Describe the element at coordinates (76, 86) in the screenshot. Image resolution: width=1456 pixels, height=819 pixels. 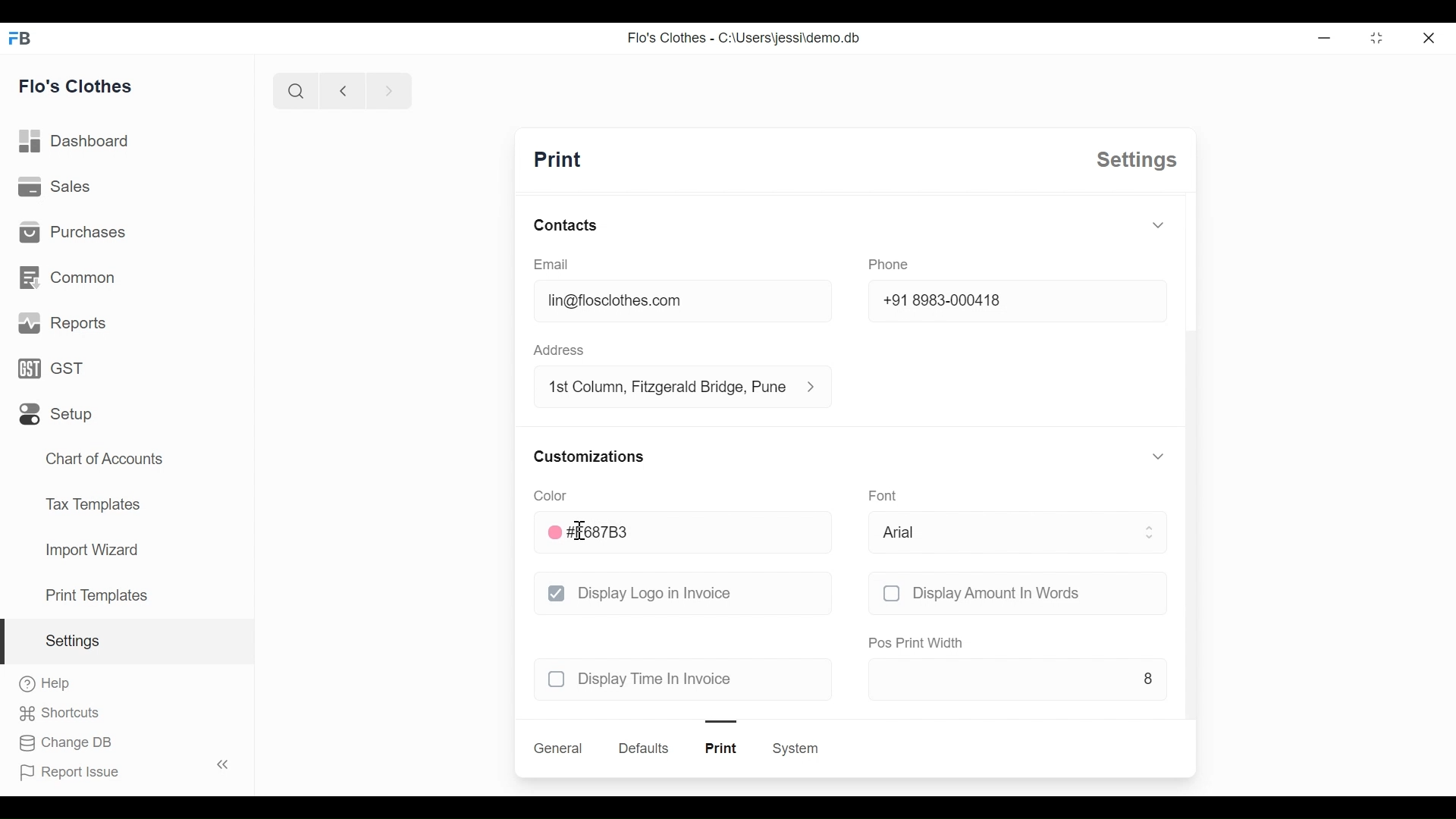
I see `flo's clothes` at that location.